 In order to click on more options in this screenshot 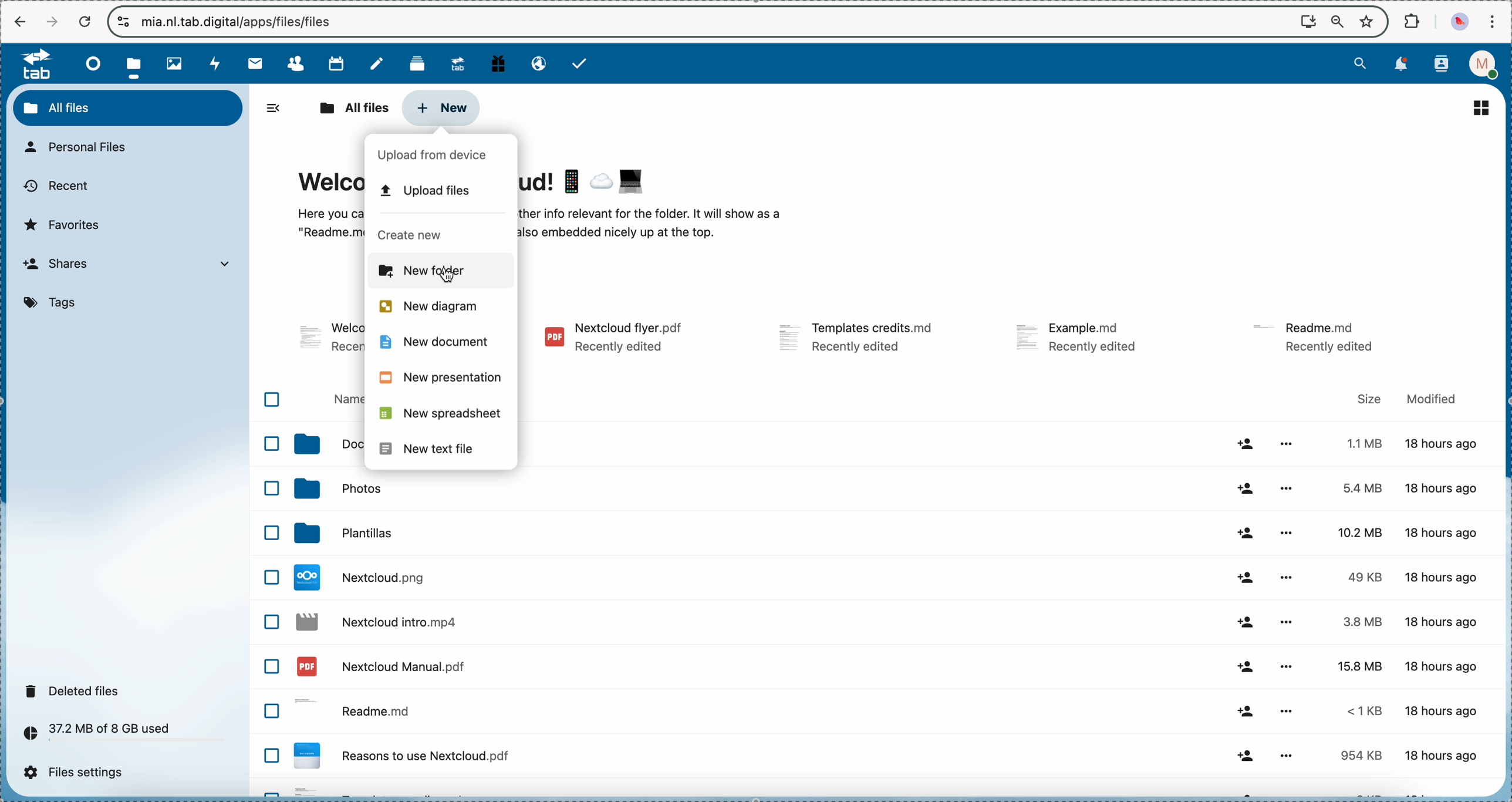, I will do `click(1287, 489)`.